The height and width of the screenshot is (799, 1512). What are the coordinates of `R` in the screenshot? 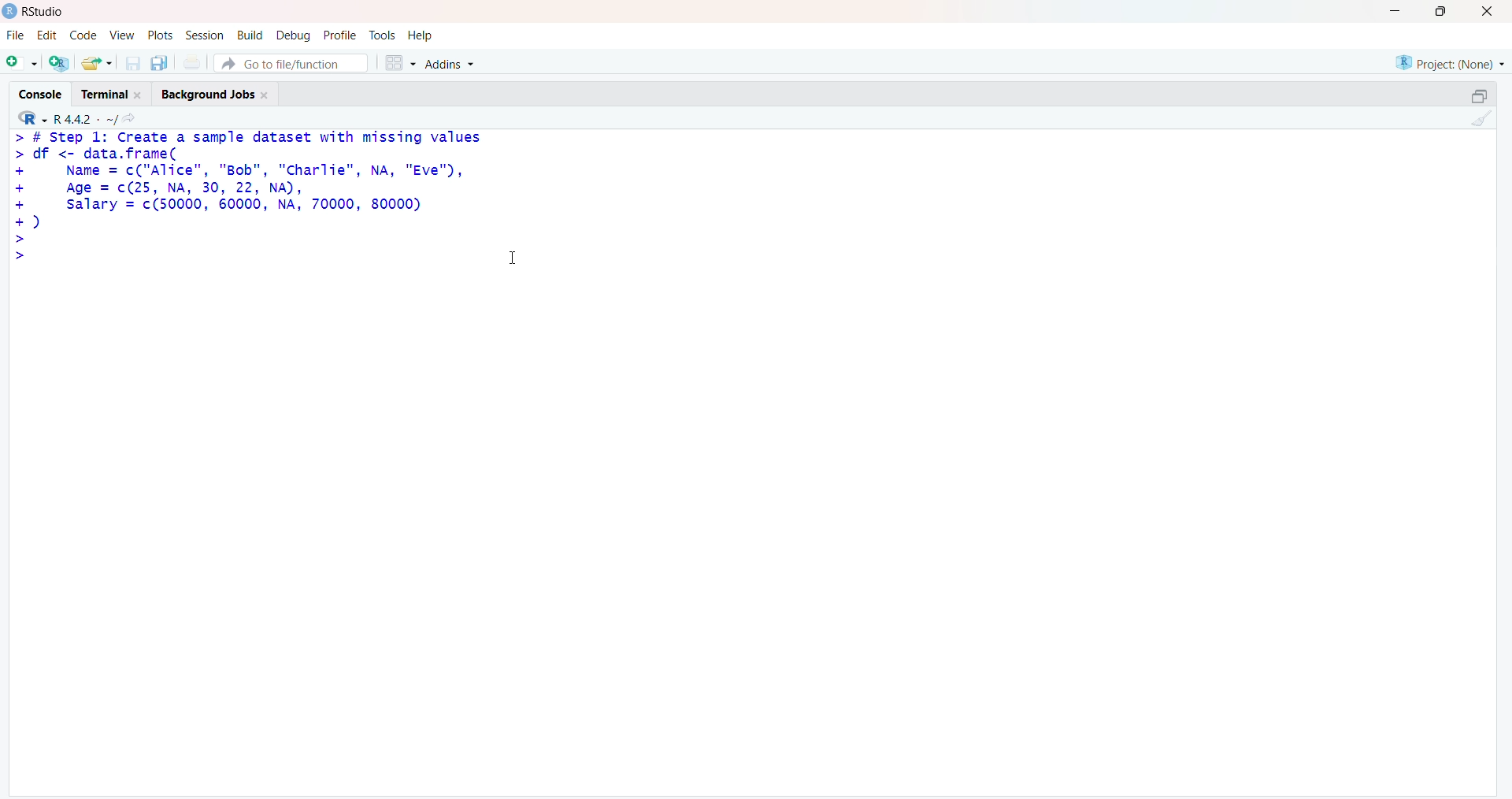 It's located at (31, 118).